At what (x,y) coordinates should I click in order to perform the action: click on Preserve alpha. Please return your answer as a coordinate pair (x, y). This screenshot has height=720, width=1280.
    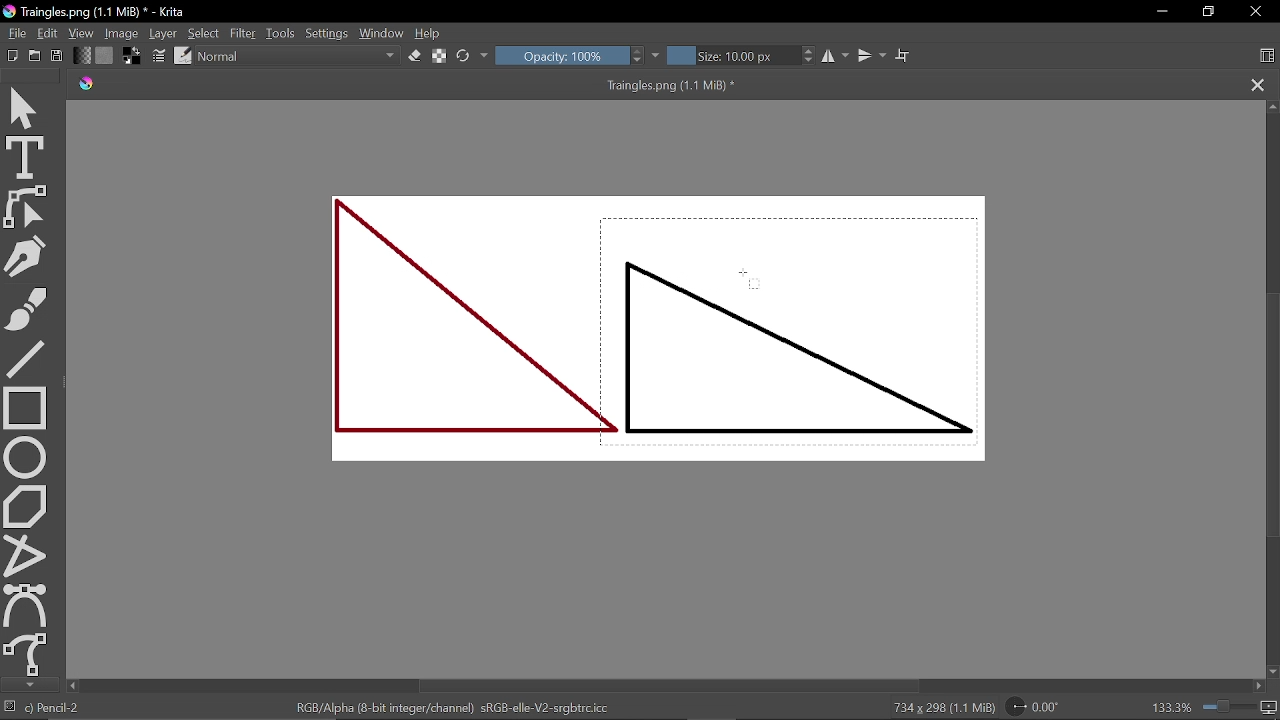
    Looking at the image, I should click on (437, 54).